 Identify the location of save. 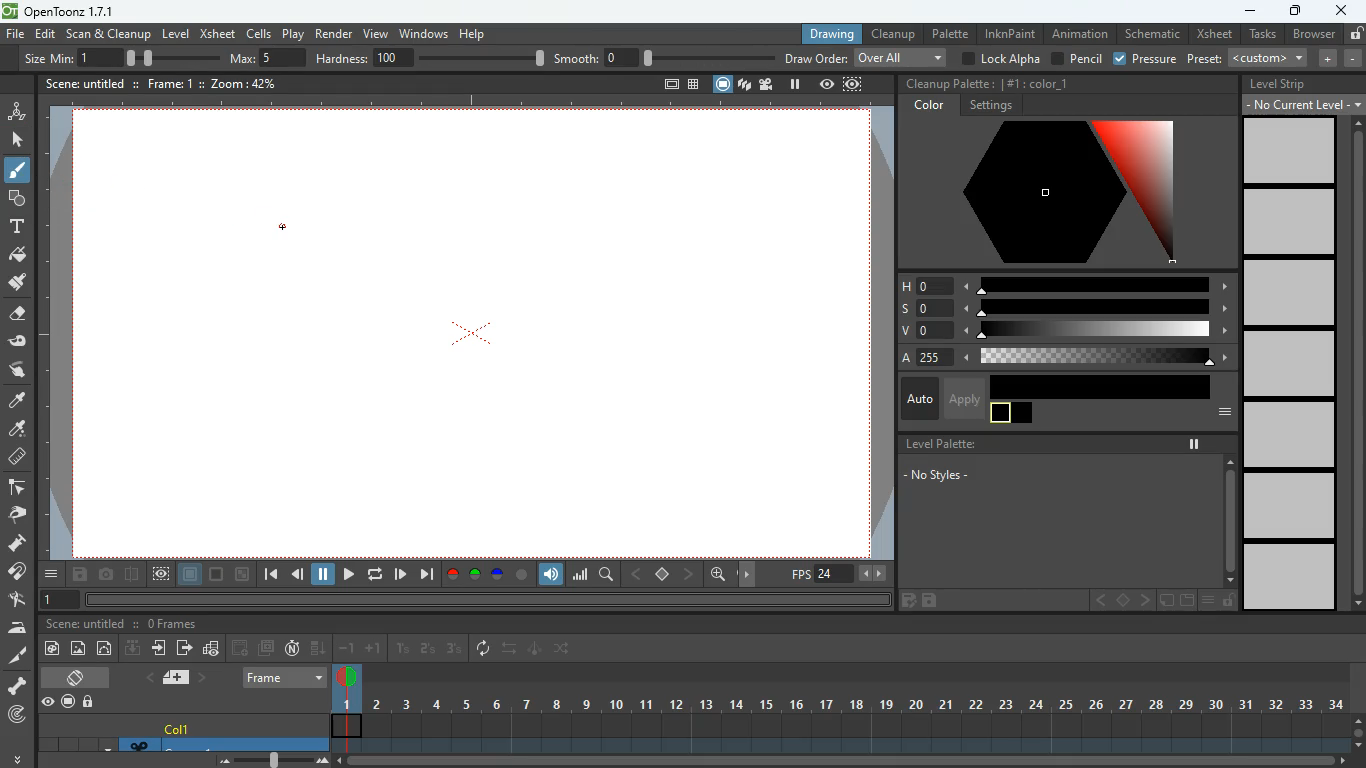
(933, 601).